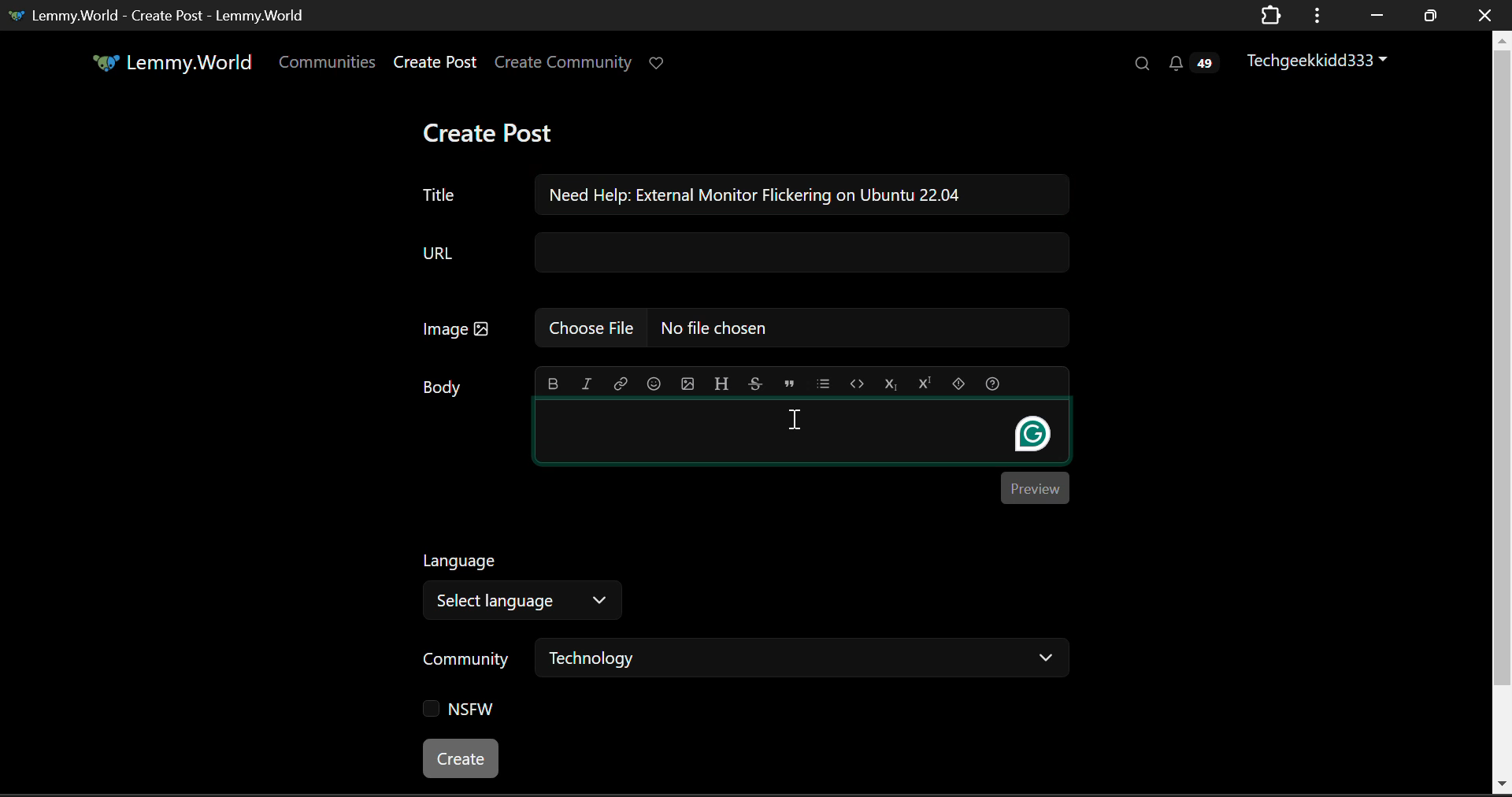 The width and height of the screenshot is (1512, 797). What do you see at coordinates (435, 61) in the screenshot?
I see `Create Post Page Link` at bounding box center [435, 61].